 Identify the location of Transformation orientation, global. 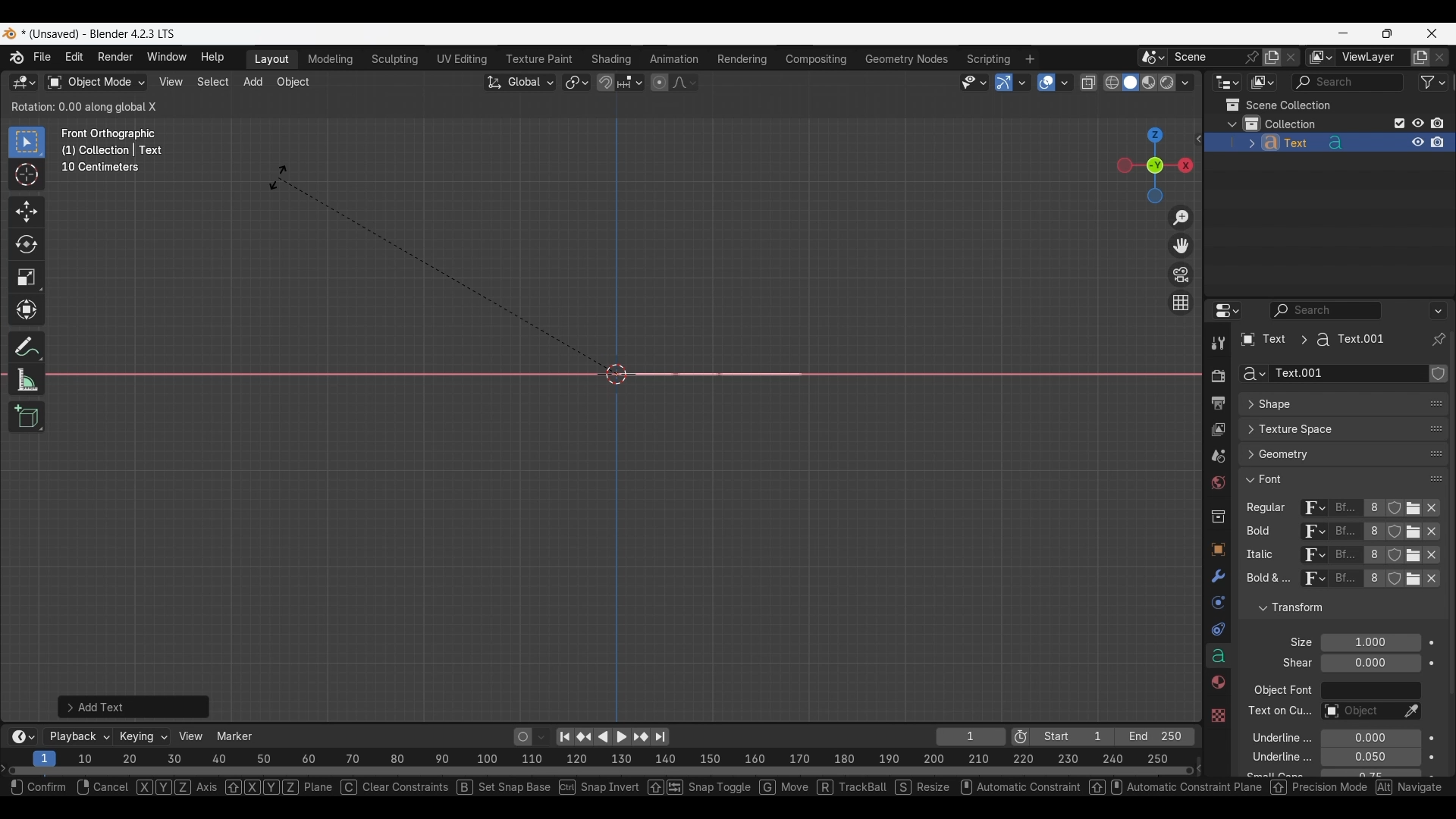
(520, 83).